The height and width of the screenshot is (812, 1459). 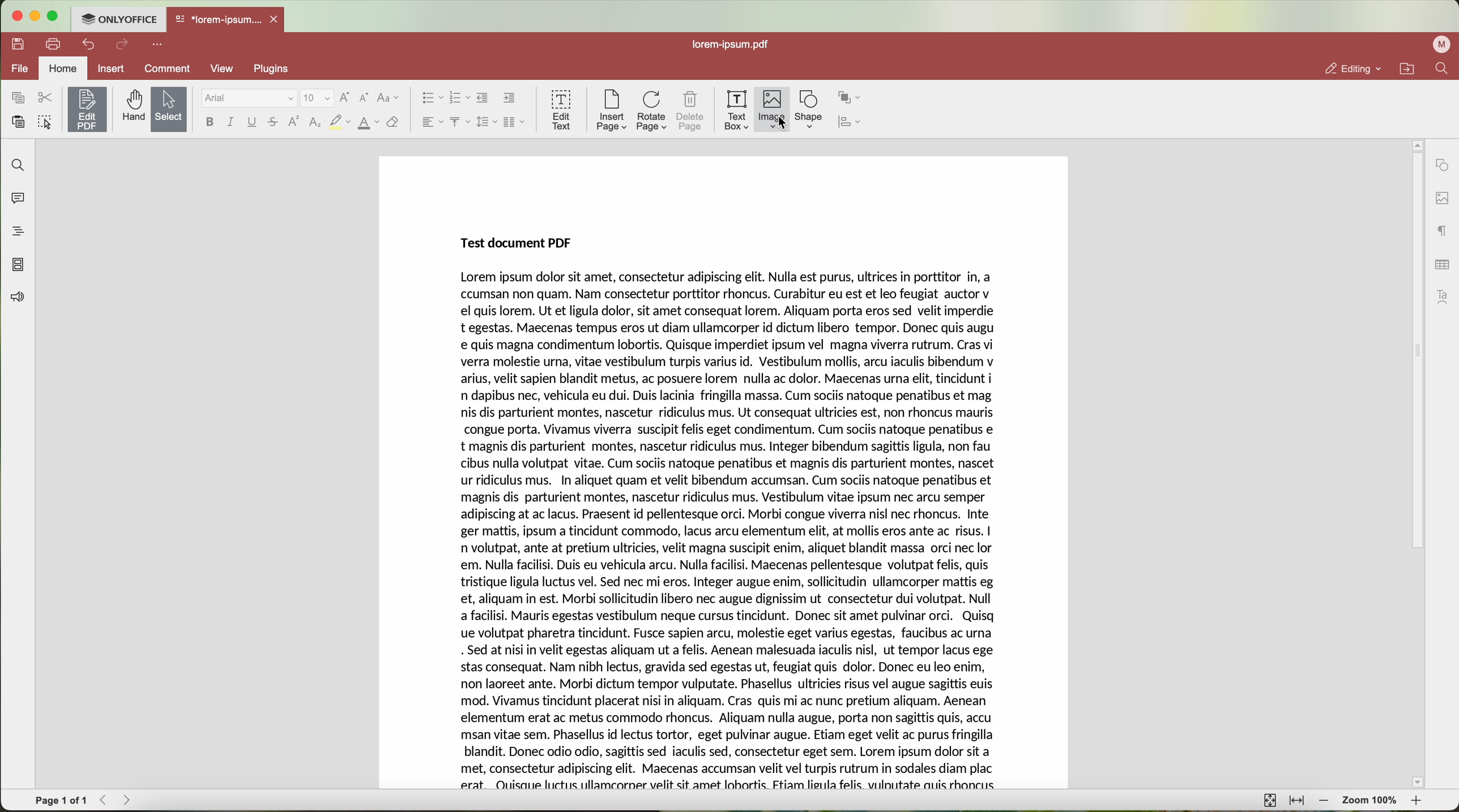 What do you see at coordinates (691, 113) in the screenshot?
I see `delete page` at bounding box center [691, 113].